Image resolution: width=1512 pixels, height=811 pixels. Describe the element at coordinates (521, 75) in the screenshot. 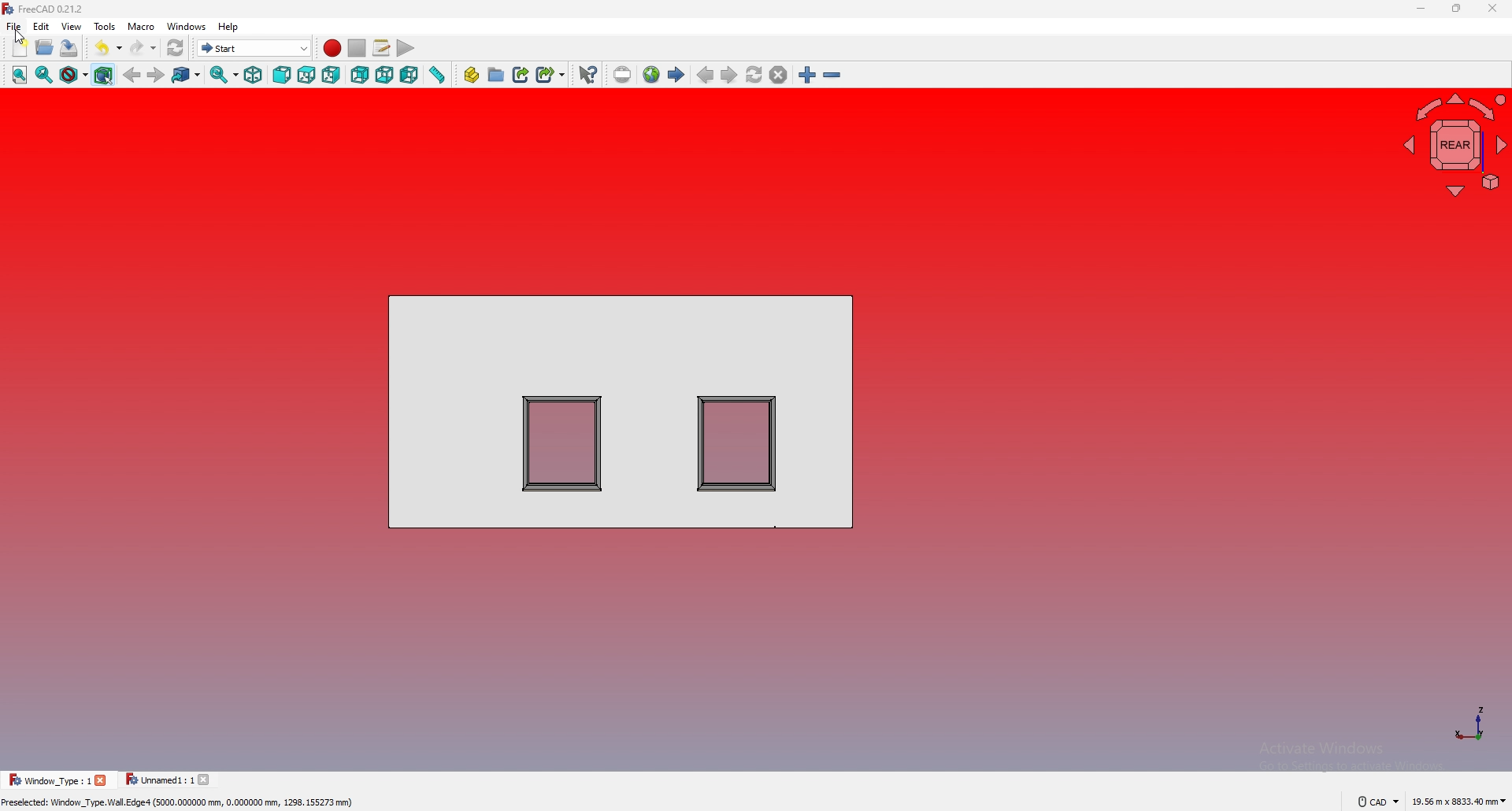

I see `create link` at that location.